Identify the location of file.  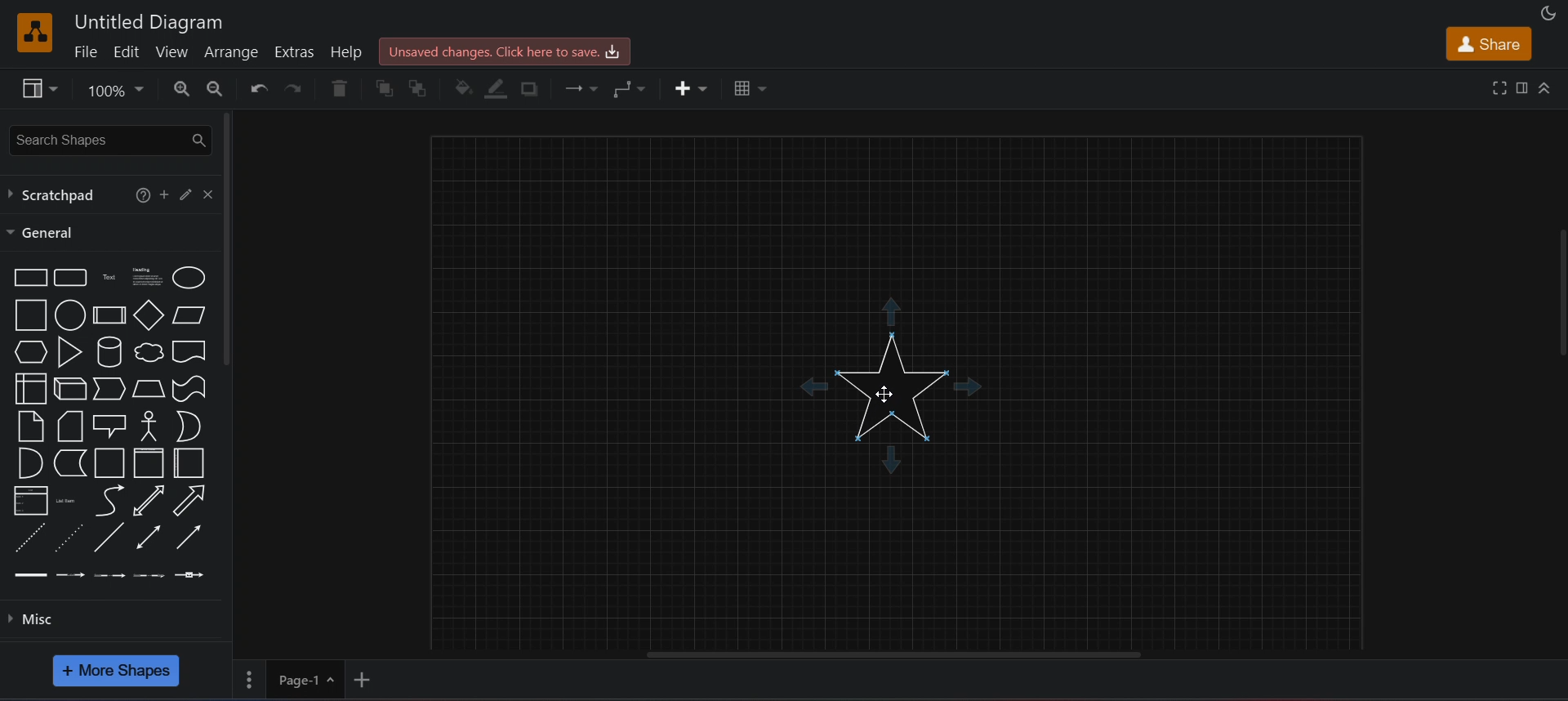
(88, 51).